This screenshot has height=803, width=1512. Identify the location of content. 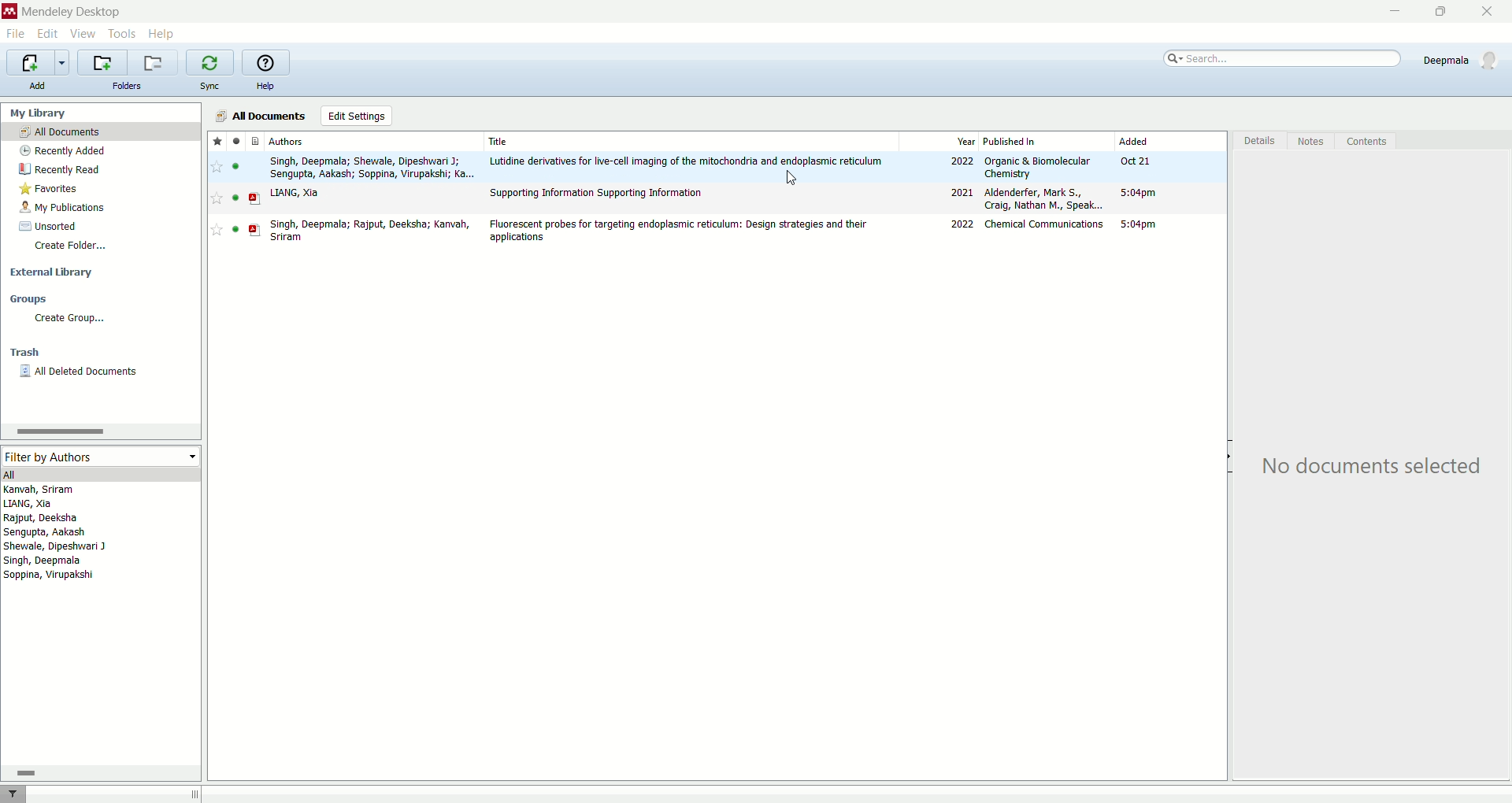
(1364, 142).